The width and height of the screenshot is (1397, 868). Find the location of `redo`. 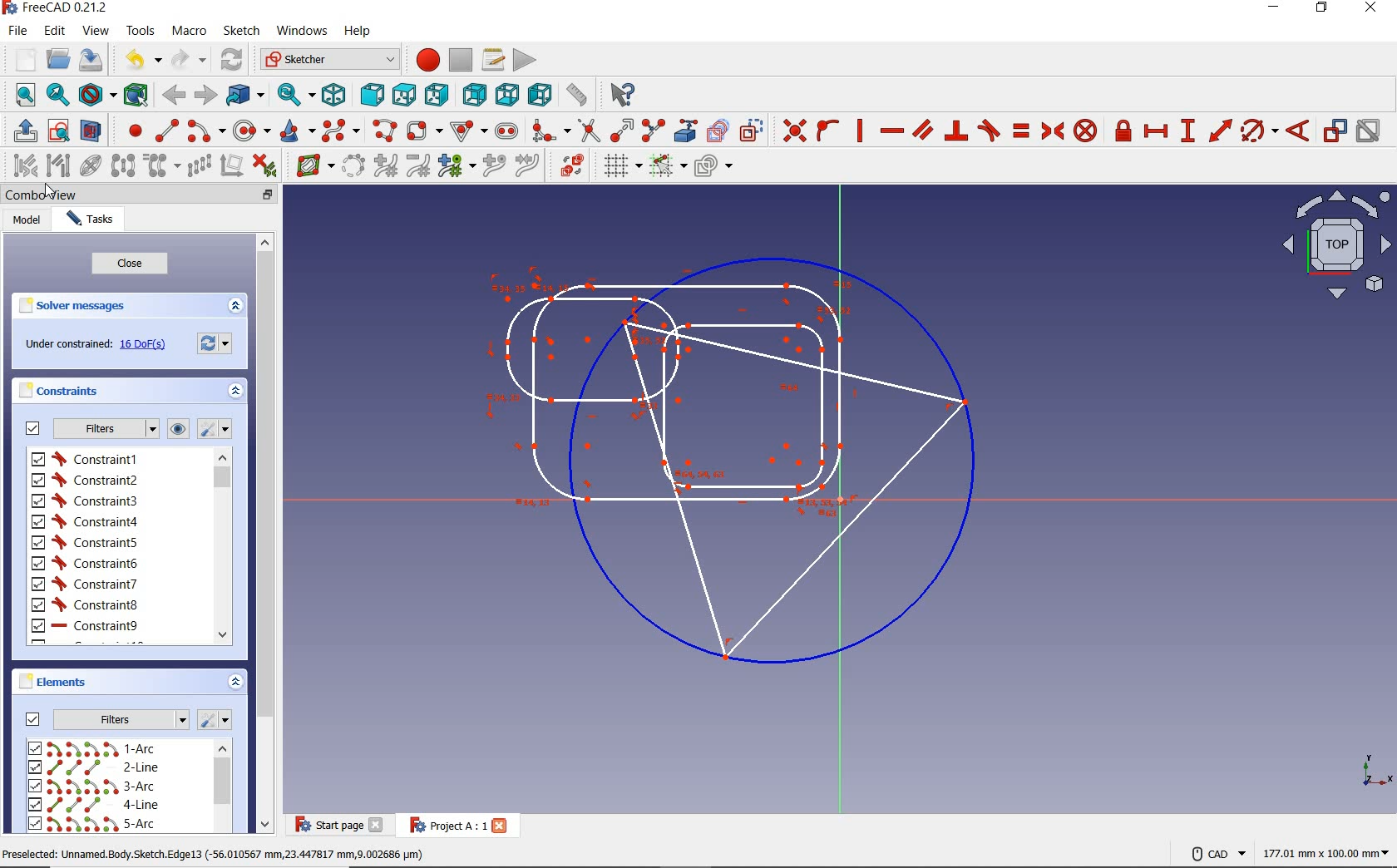

redo is located at coordinates (190, 60).